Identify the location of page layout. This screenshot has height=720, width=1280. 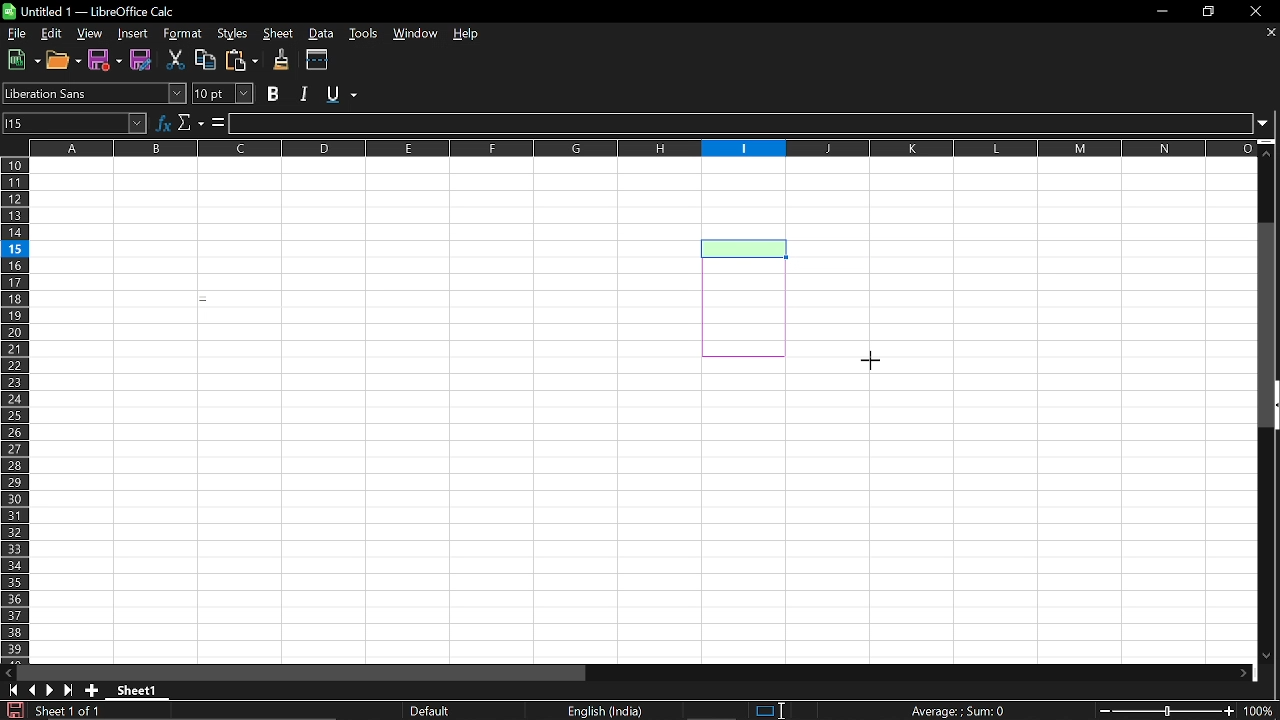
(432, 710).